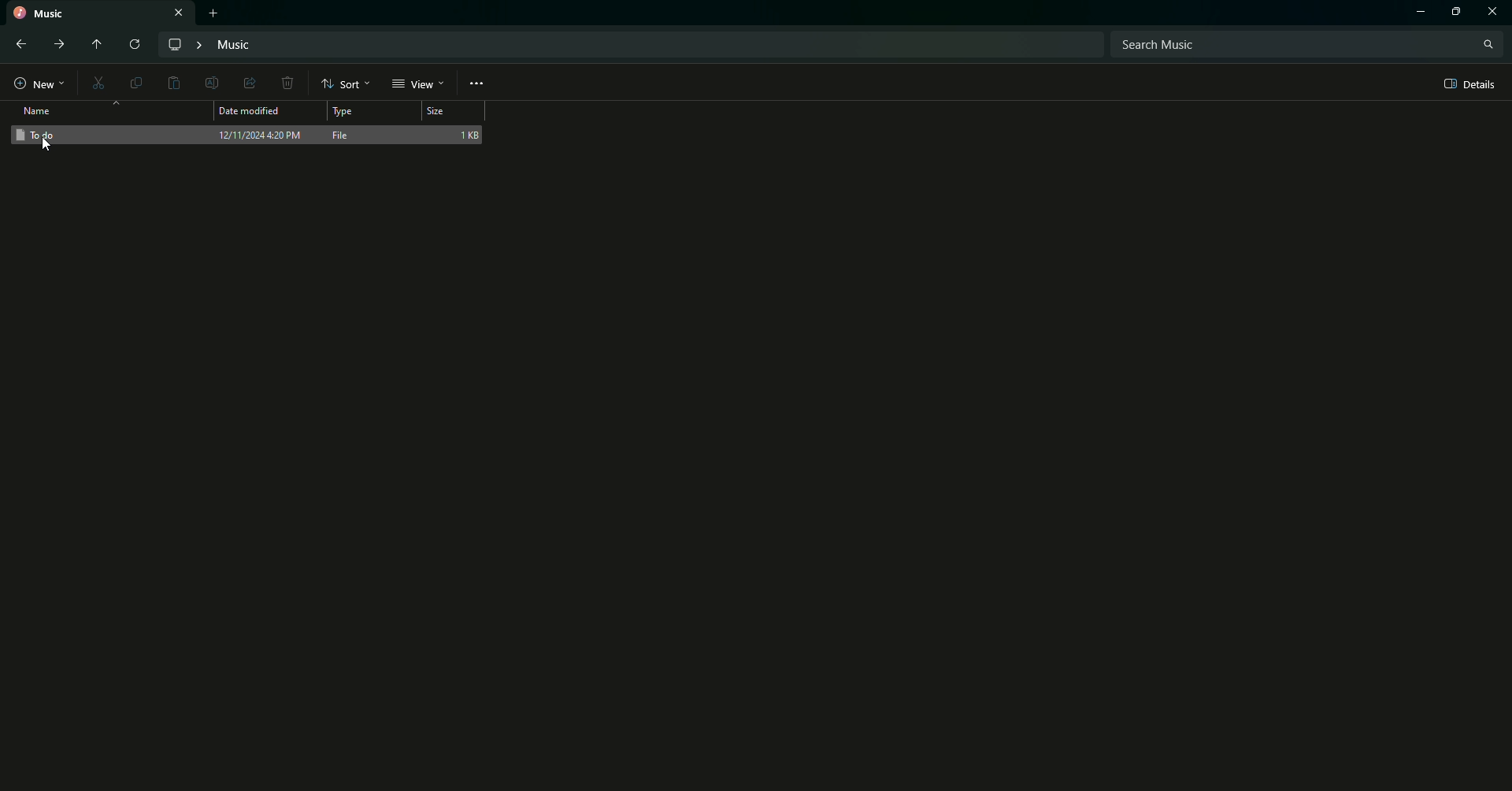 This screenshot has height=791, width=1512. Describe the element at coordinates (39, 83) in the screenshot. I see `New` at that location.